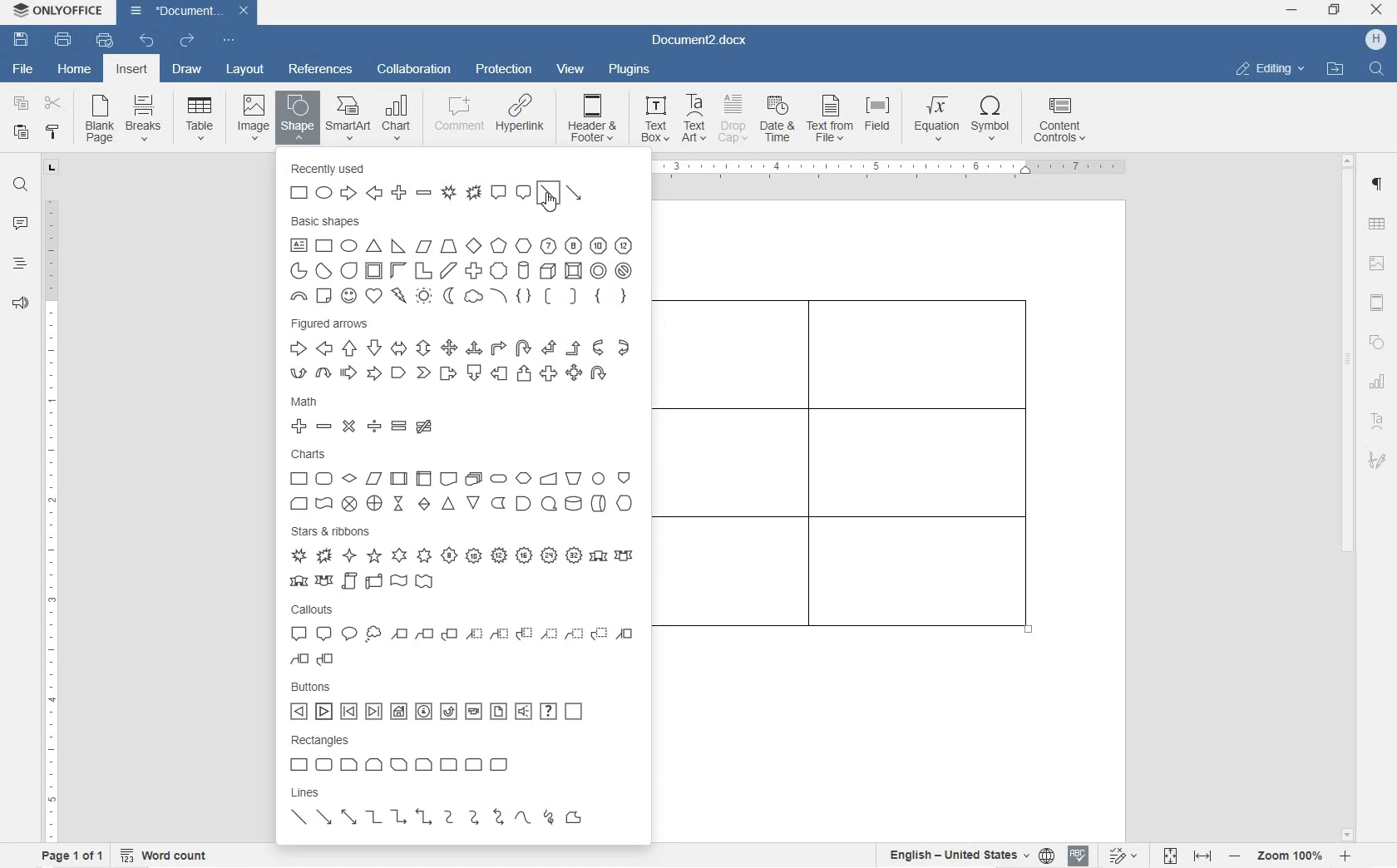  I want to click on CONTENT CONTROLS, so click(1057, 122).